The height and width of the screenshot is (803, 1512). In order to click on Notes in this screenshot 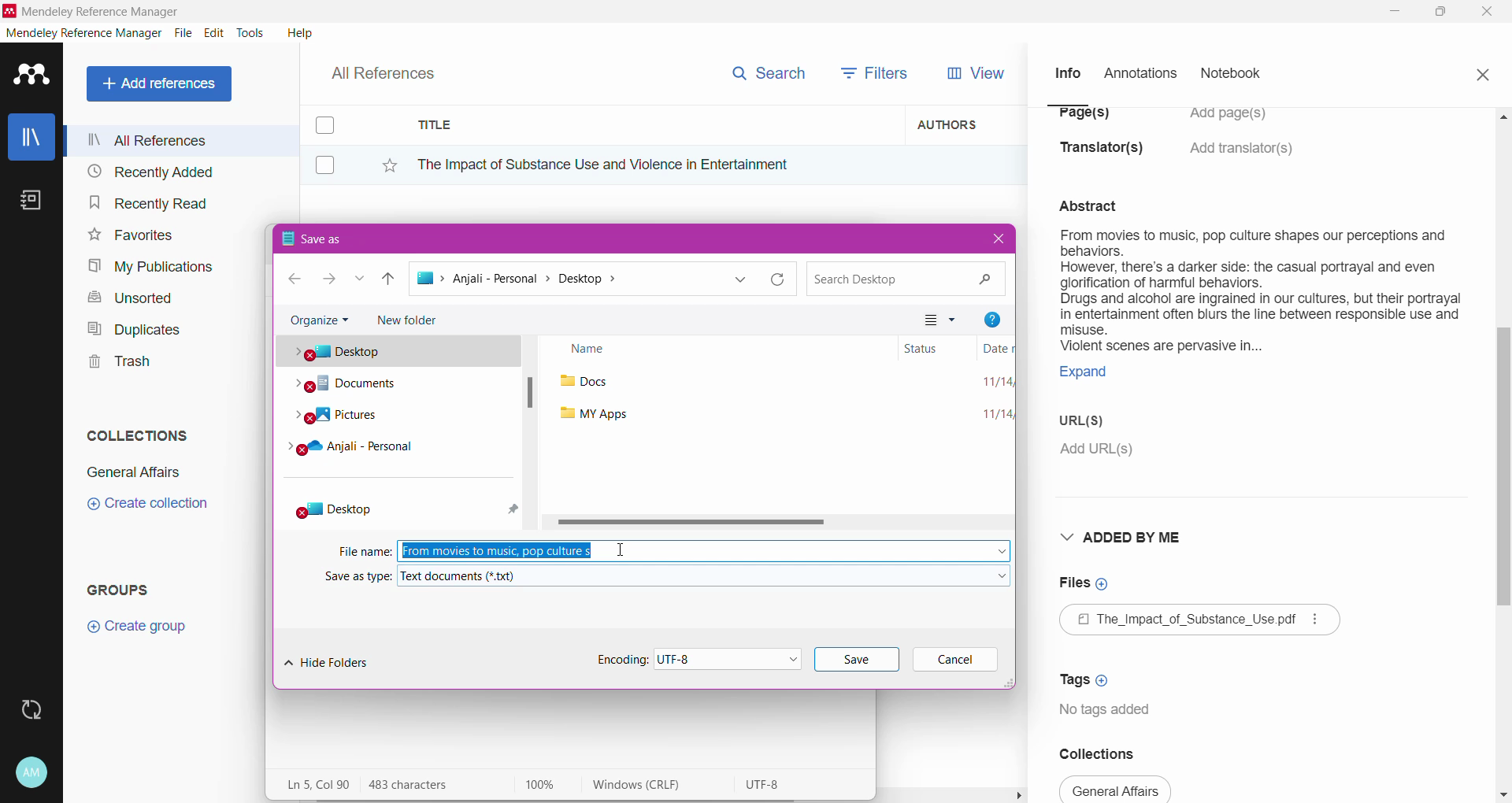, I will do `click(35, 202)`.